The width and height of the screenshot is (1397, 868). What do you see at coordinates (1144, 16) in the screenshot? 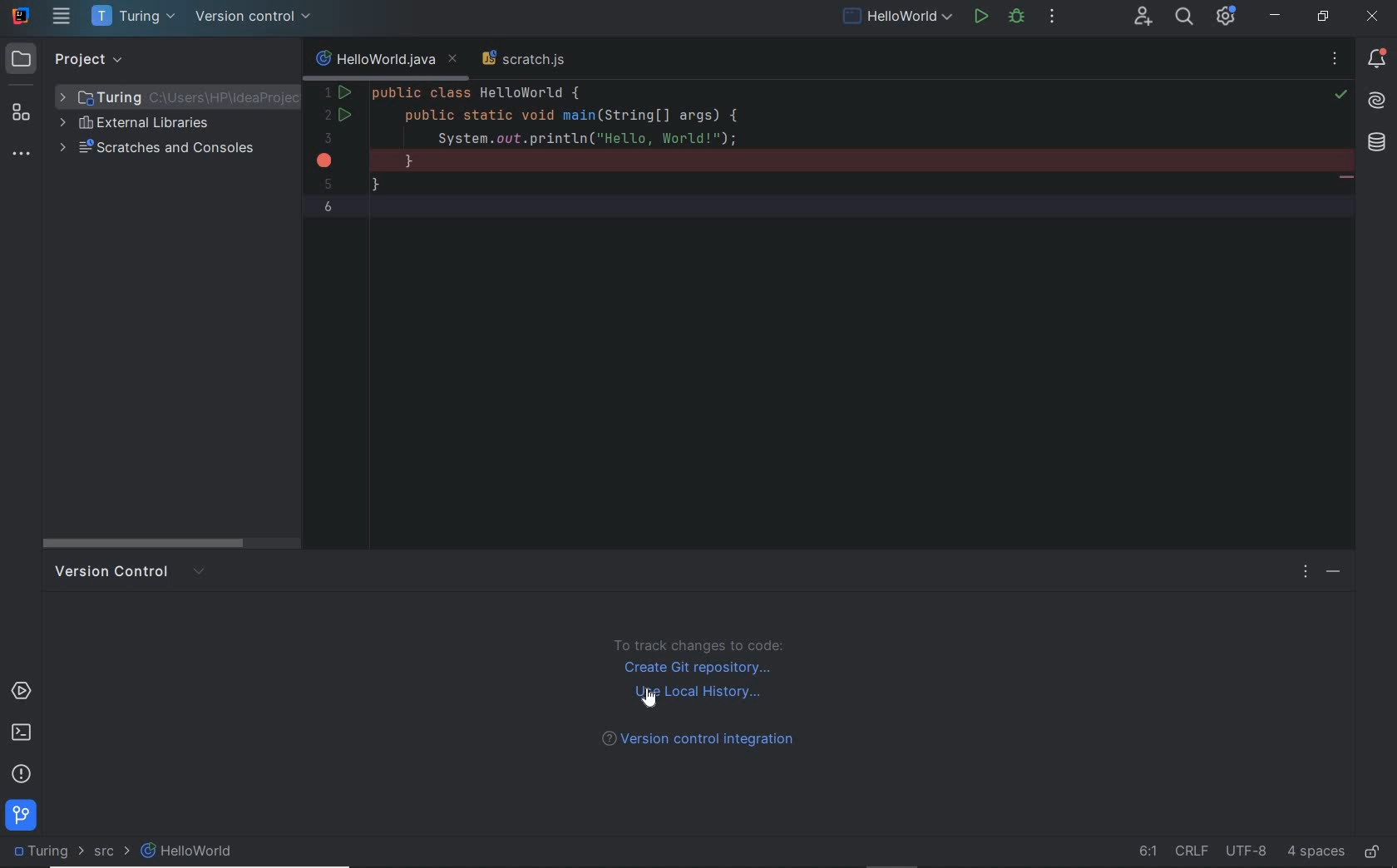
I see `code with me` at bounding box center [1144, 16].